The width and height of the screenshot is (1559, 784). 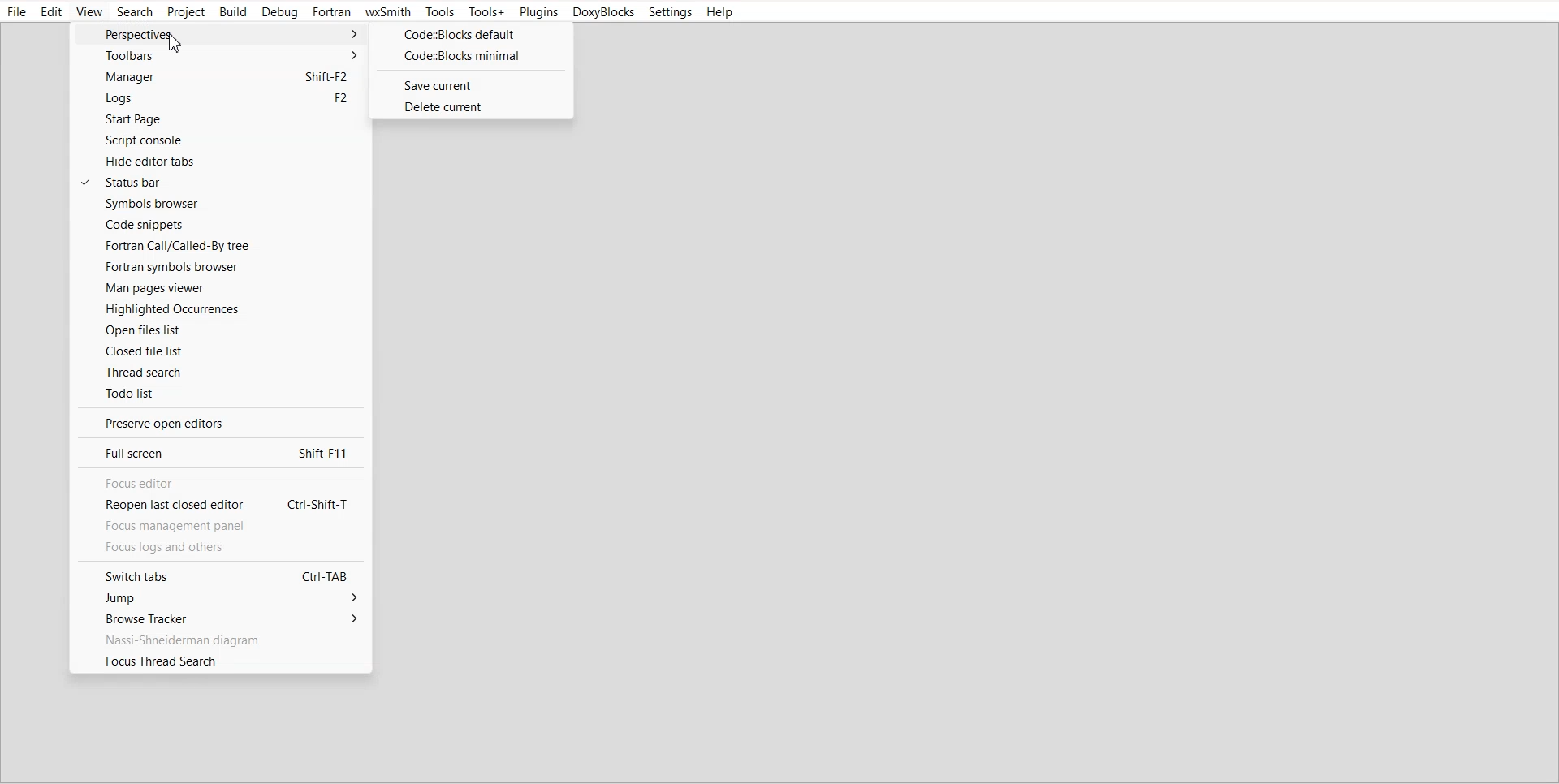 What do you see at coordinates (220, 224) in the screenshot?
I see `Code Snippets` at bounding box center [220, 224].